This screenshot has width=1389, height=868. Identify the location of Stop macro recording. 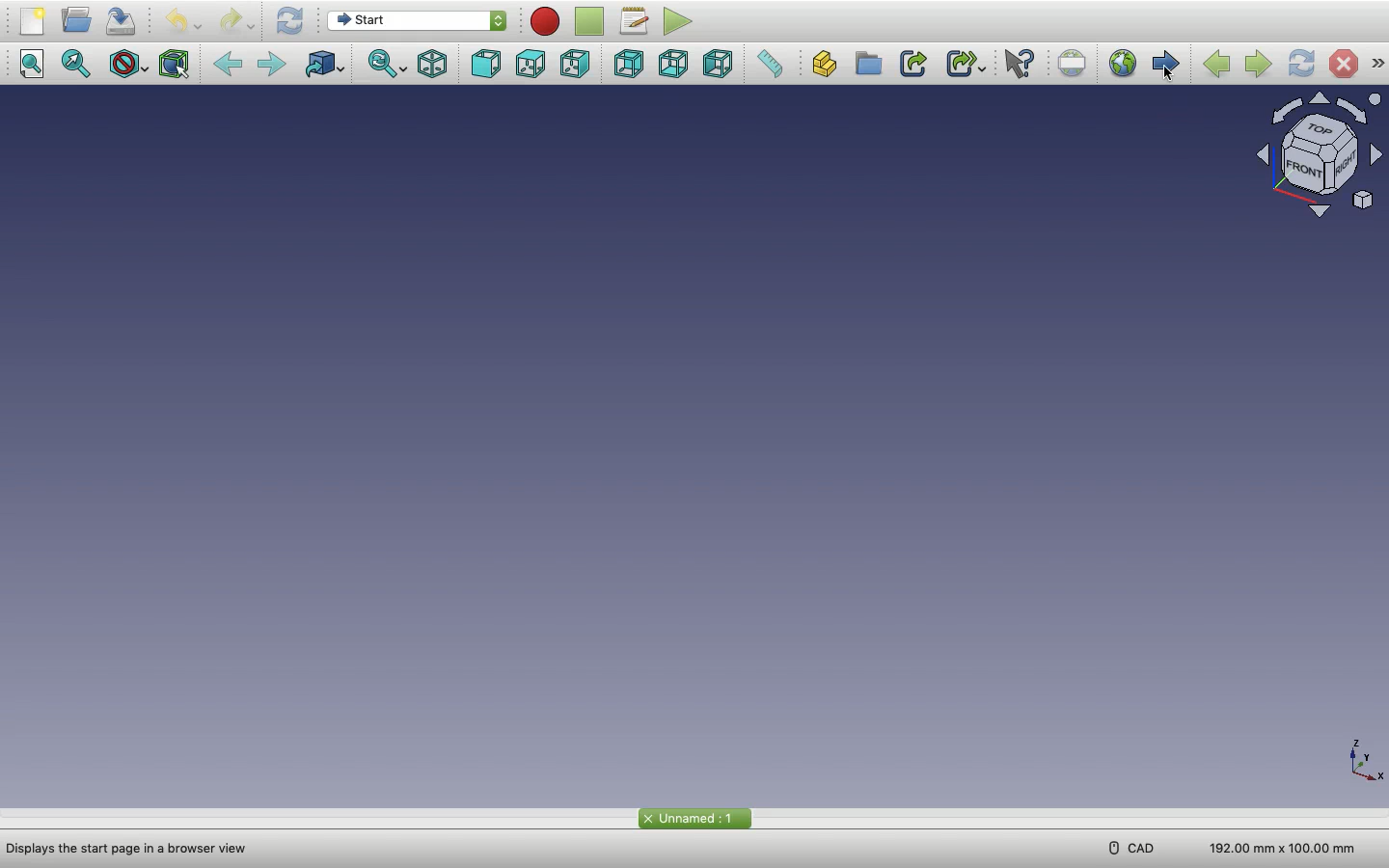
(591, 21).